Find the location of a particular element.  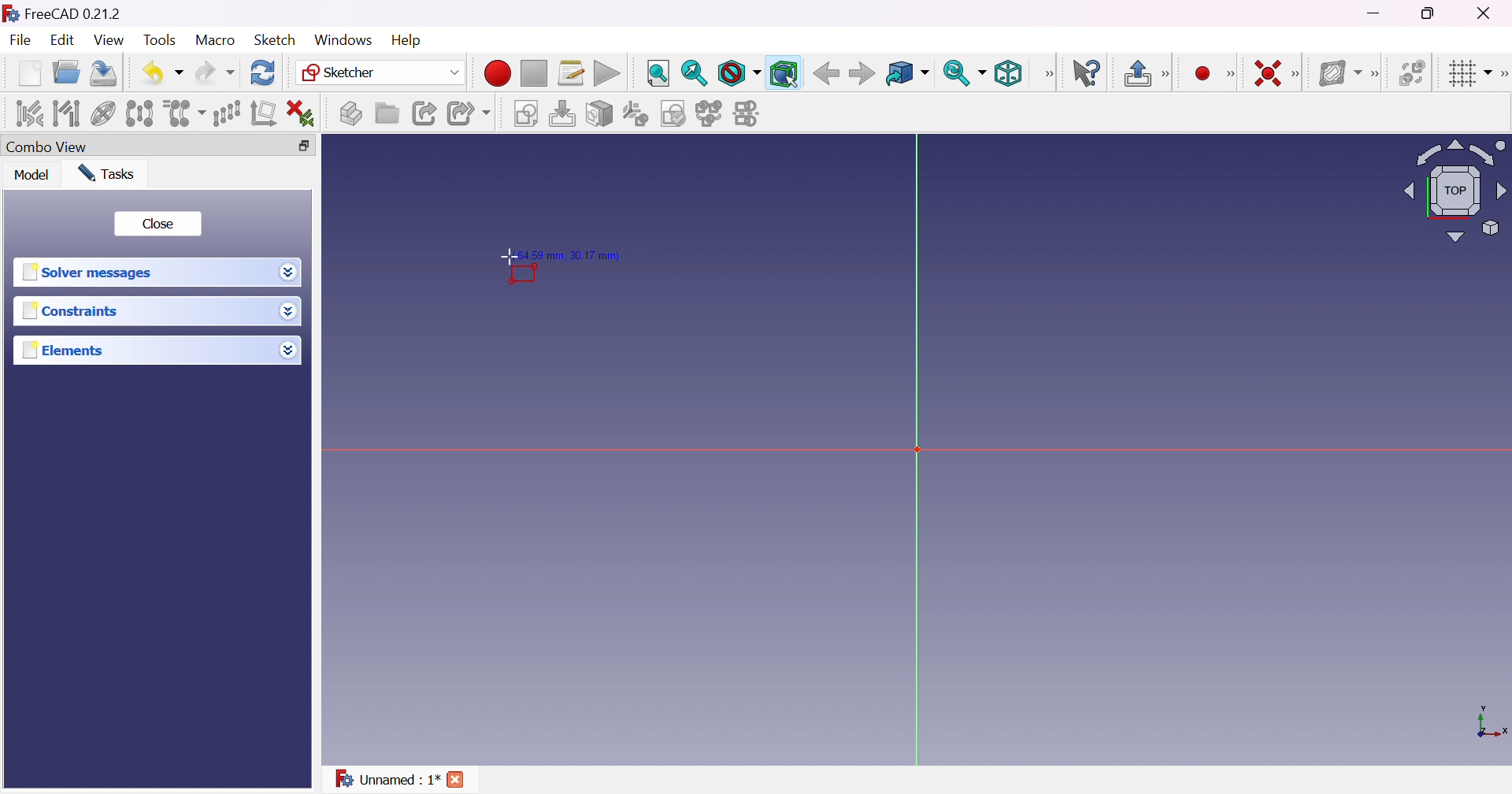

Macro is located at coordinates (215, 42).